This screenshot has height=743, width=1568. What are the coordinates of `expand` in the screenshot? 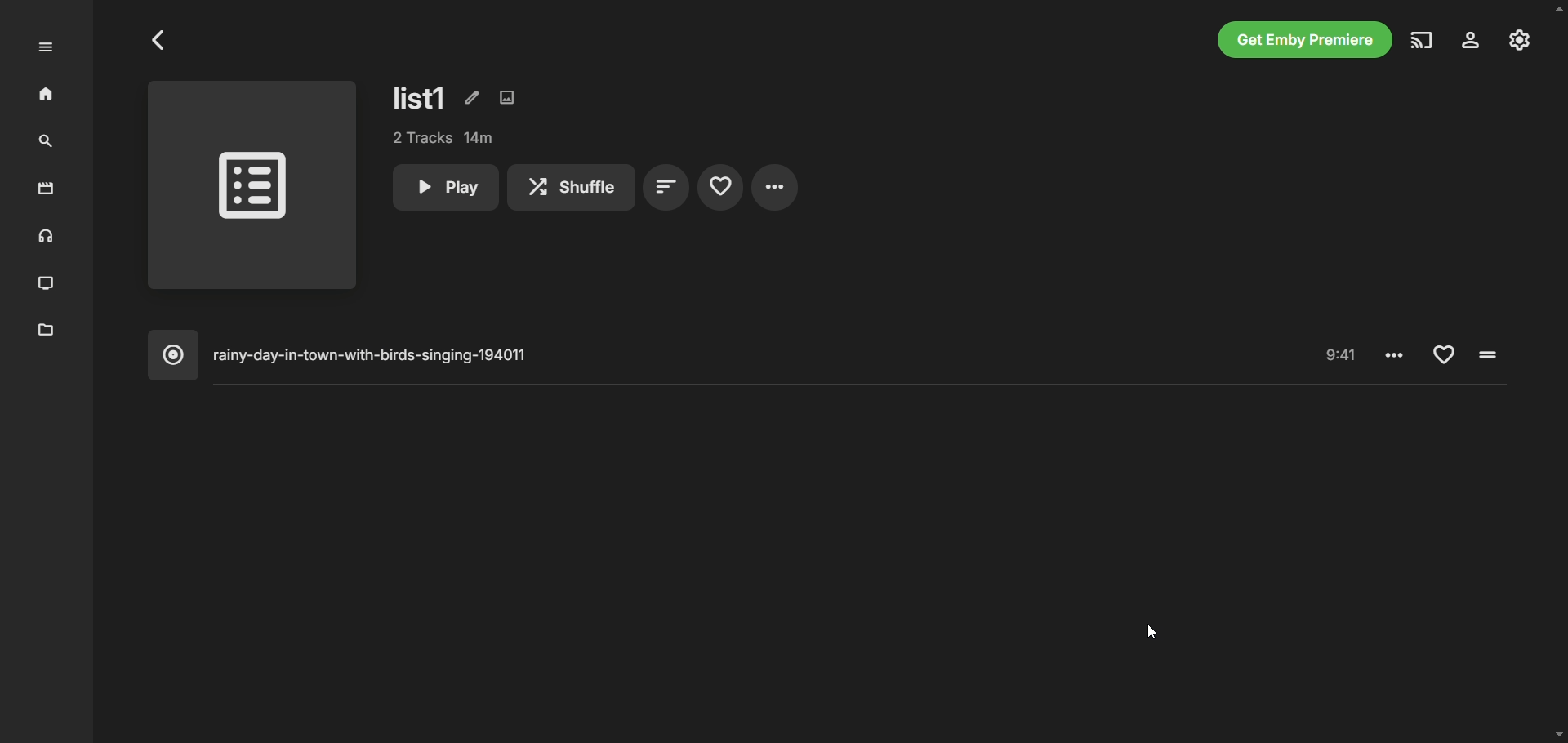 It's located at (46, 47).